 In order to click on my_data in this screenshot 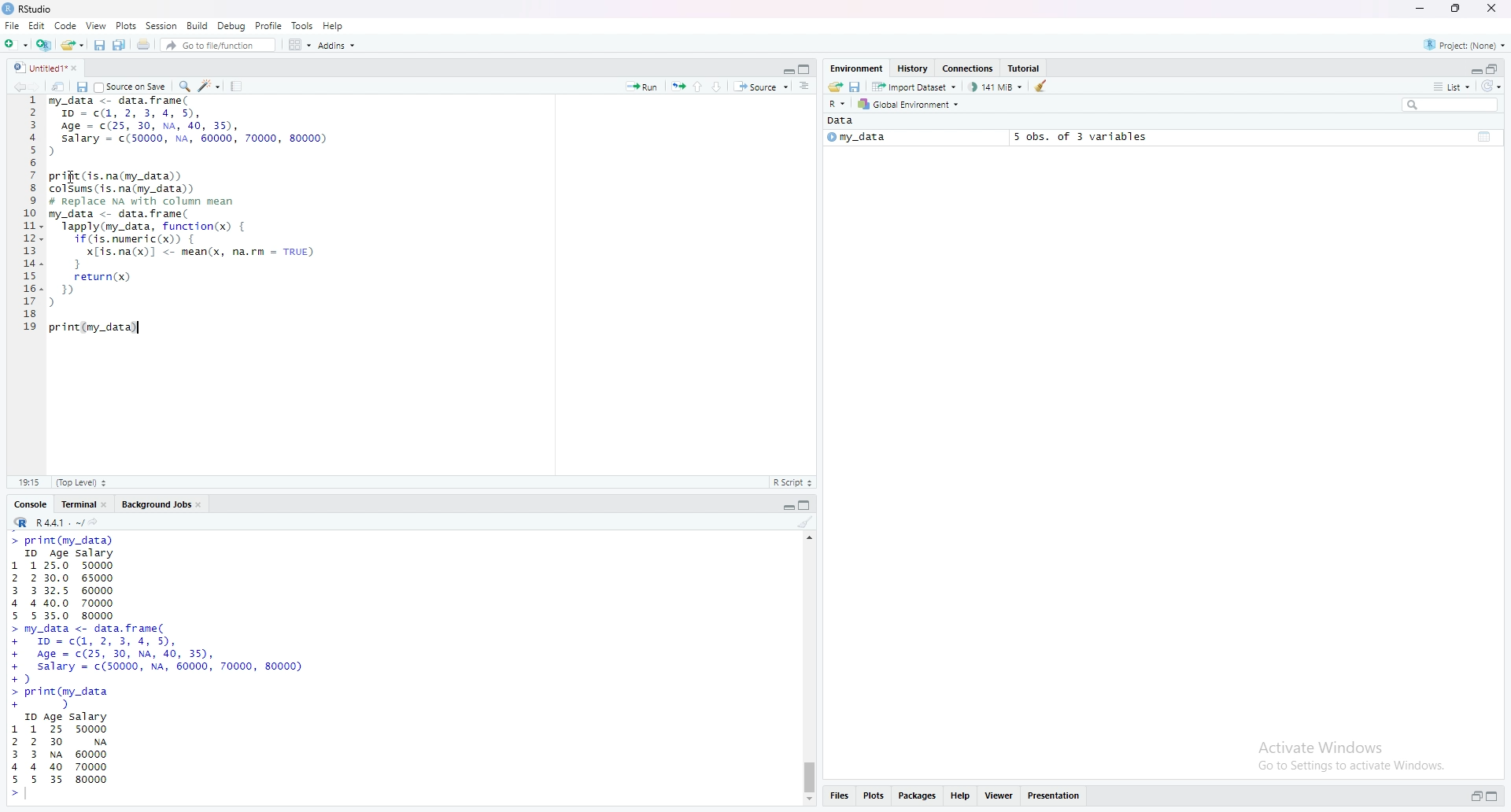, I will do `click(855, 138)`.